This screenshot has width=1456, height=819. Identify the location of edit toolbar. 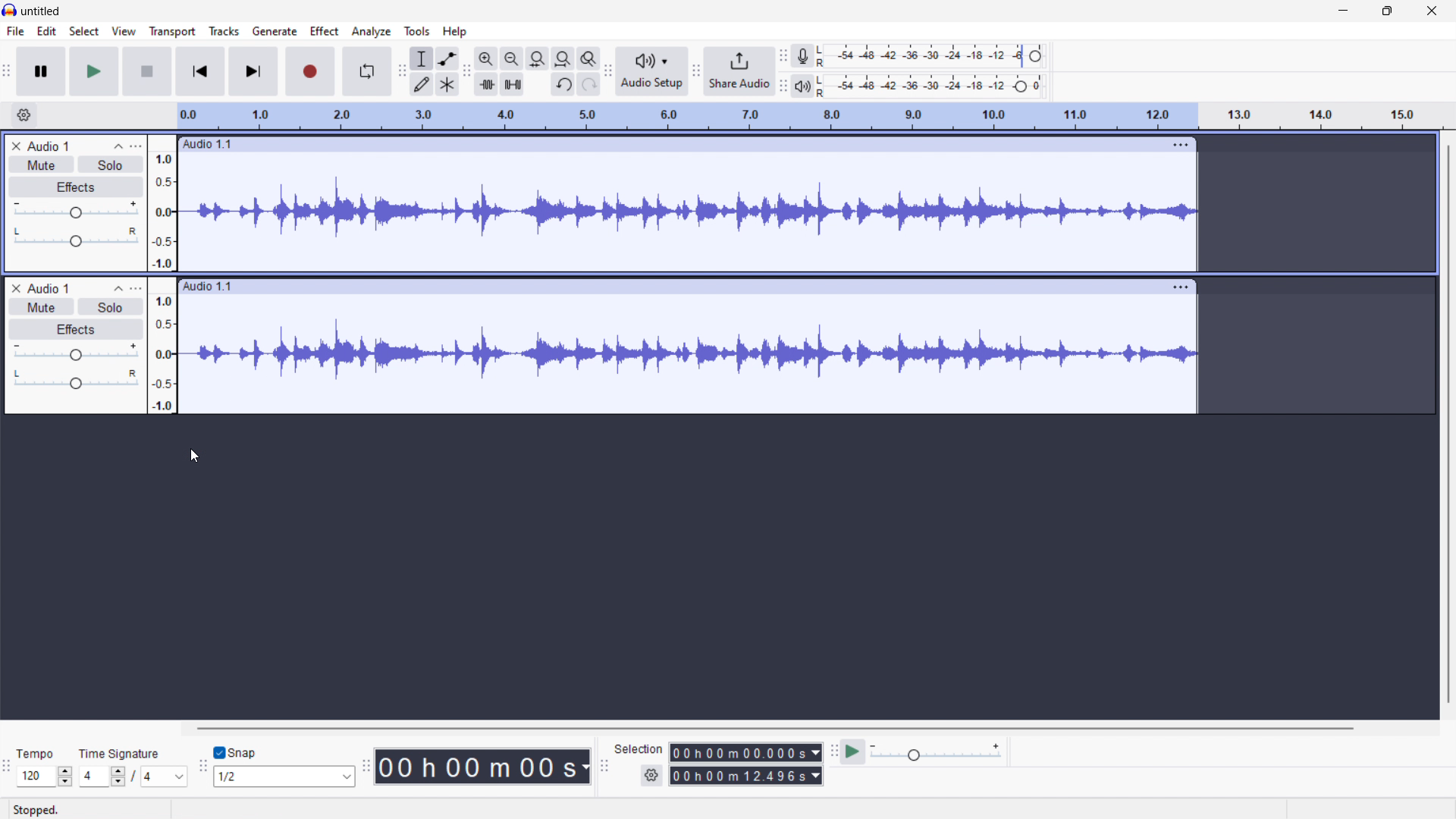
(467, 71).